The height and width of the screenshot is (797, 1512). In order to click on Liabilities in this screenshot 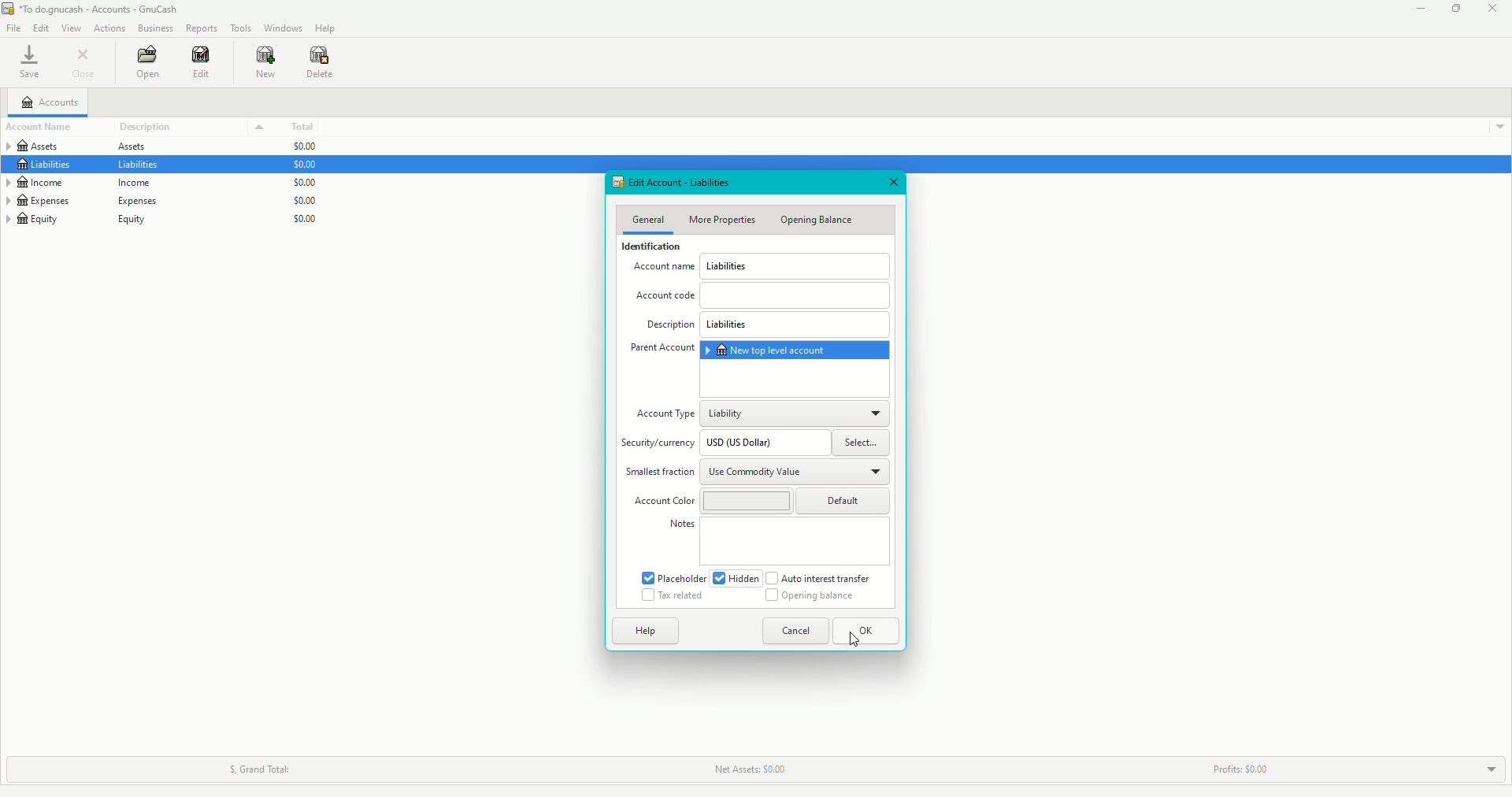, I will do `click(795, 266)`.